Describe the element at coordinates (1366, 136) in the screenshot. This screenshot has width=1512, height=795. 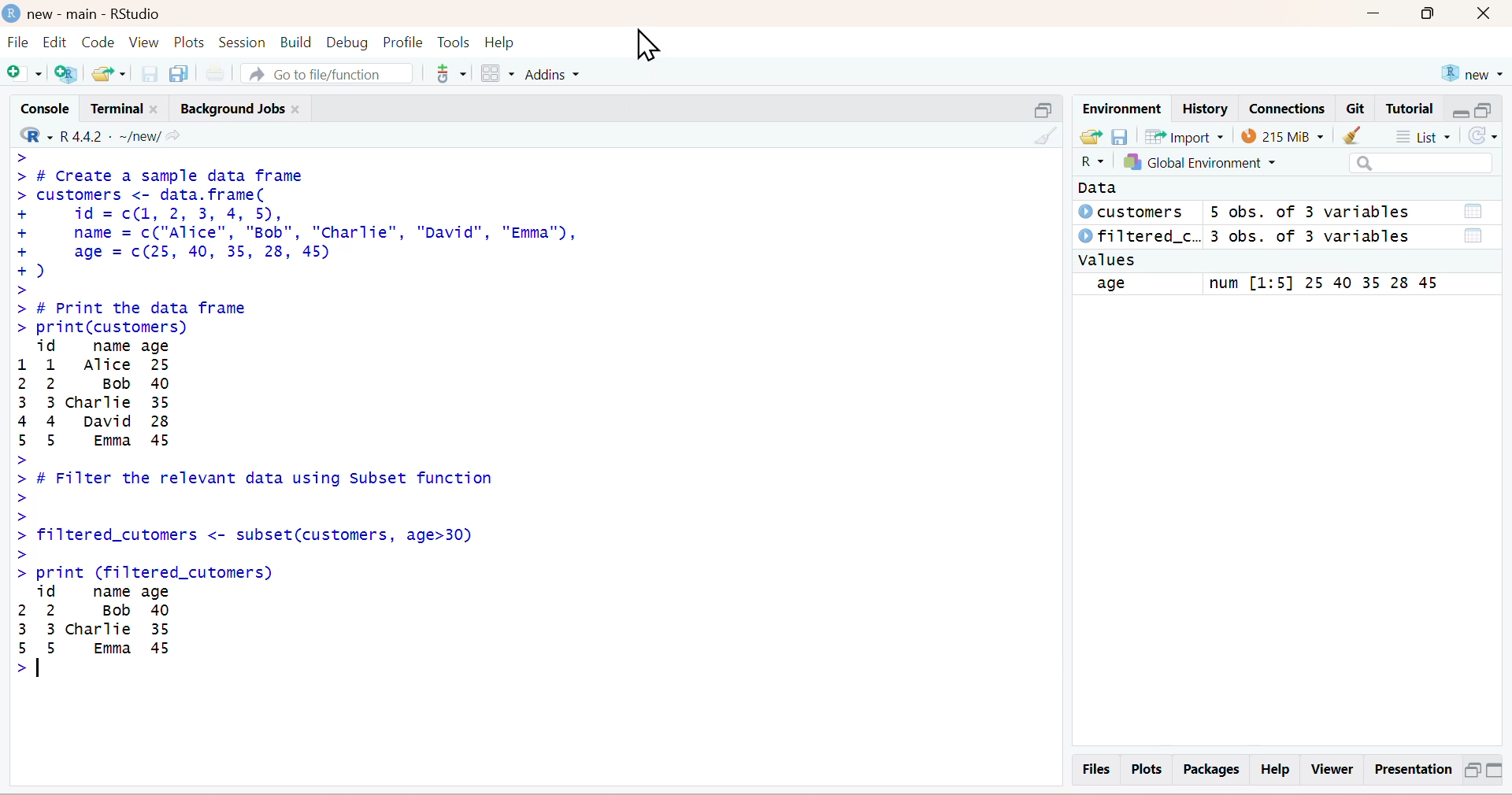
I see `Clear Objects from workspaces` at that location.